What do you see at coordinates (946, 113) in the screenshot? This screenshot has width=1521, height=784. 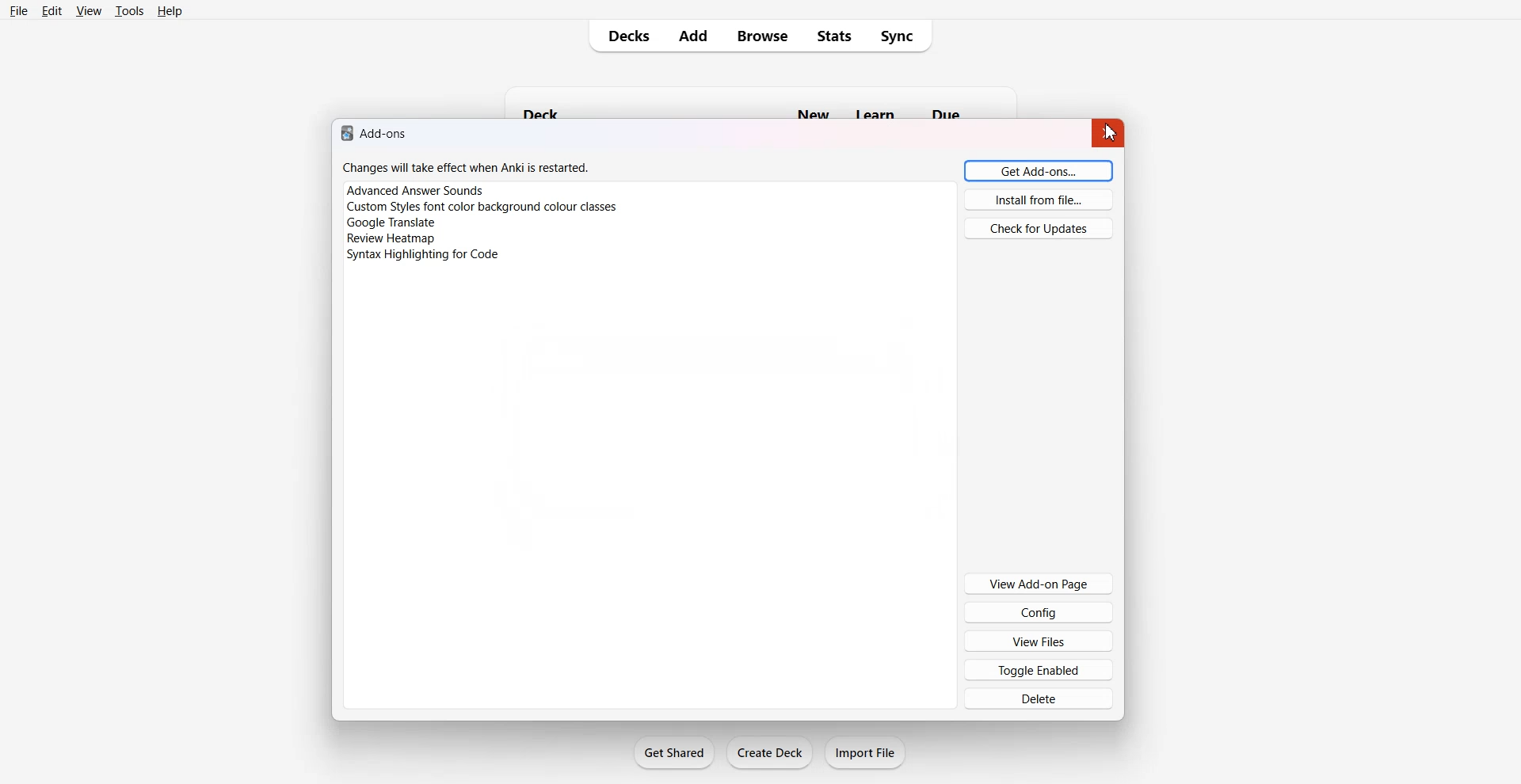 I see `due` at bounding box center [946, 113].